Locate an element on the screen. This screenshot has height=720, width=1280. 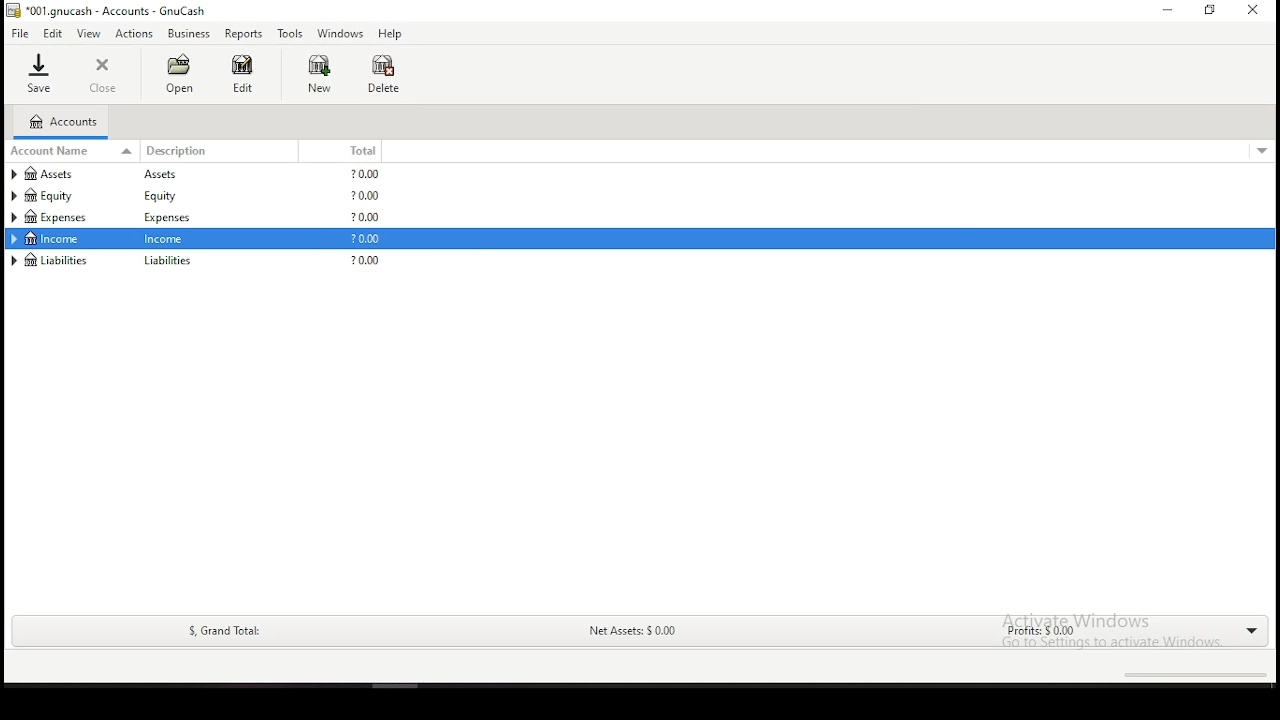
view is located at coordinates (89, 34).